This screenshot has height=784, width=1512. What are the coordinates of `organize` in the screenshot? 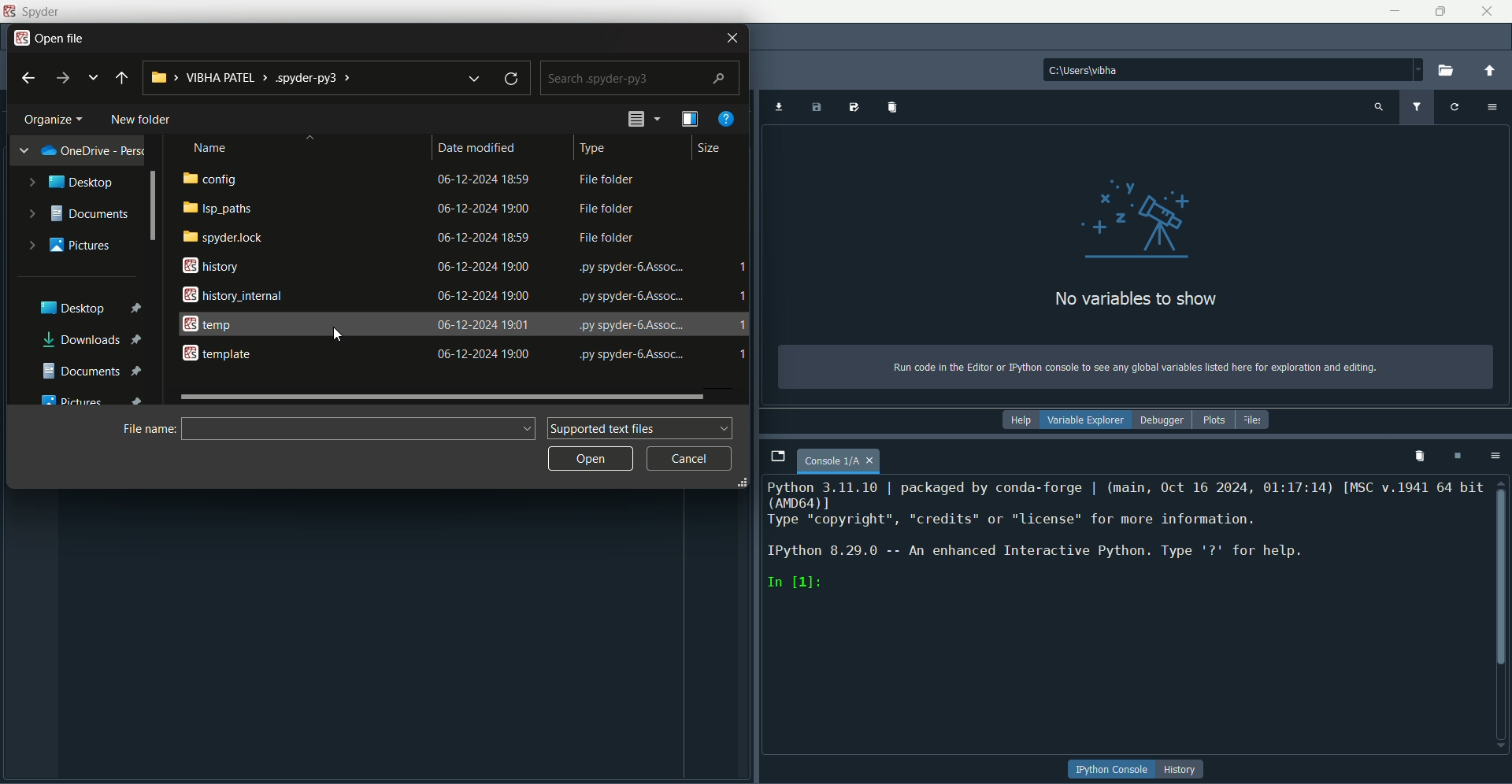 It's located at (56, 118).